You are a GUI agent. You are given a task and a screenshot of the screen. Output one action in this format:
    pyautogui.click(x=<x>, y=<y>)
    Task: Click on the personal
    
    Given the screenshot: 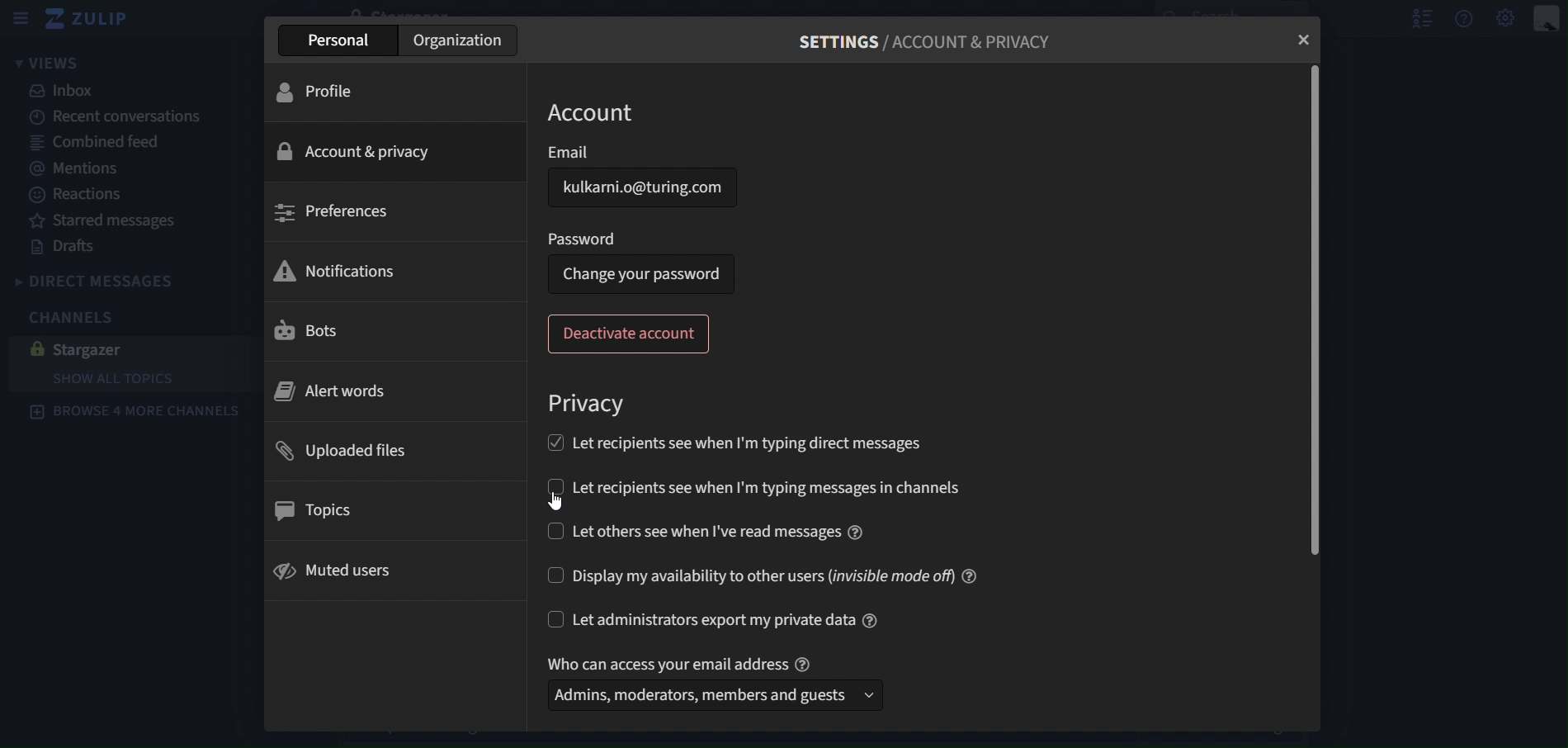 What is the action you would take?
    pyautogui.click(x=341, y=40)
    